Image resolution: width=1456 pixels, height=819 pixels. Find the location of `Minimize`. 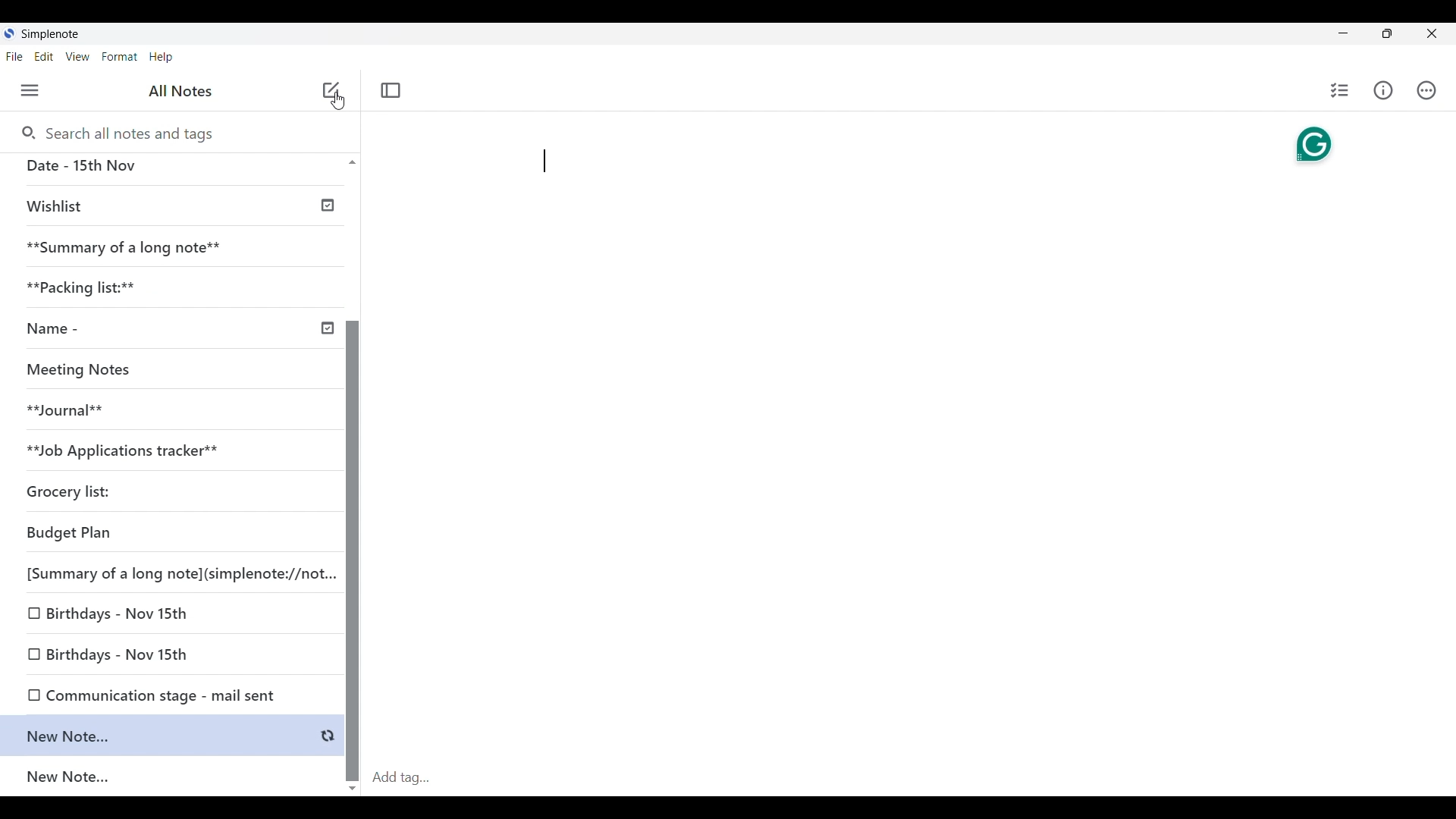

Minimize is located at coordinates (1340, 32).